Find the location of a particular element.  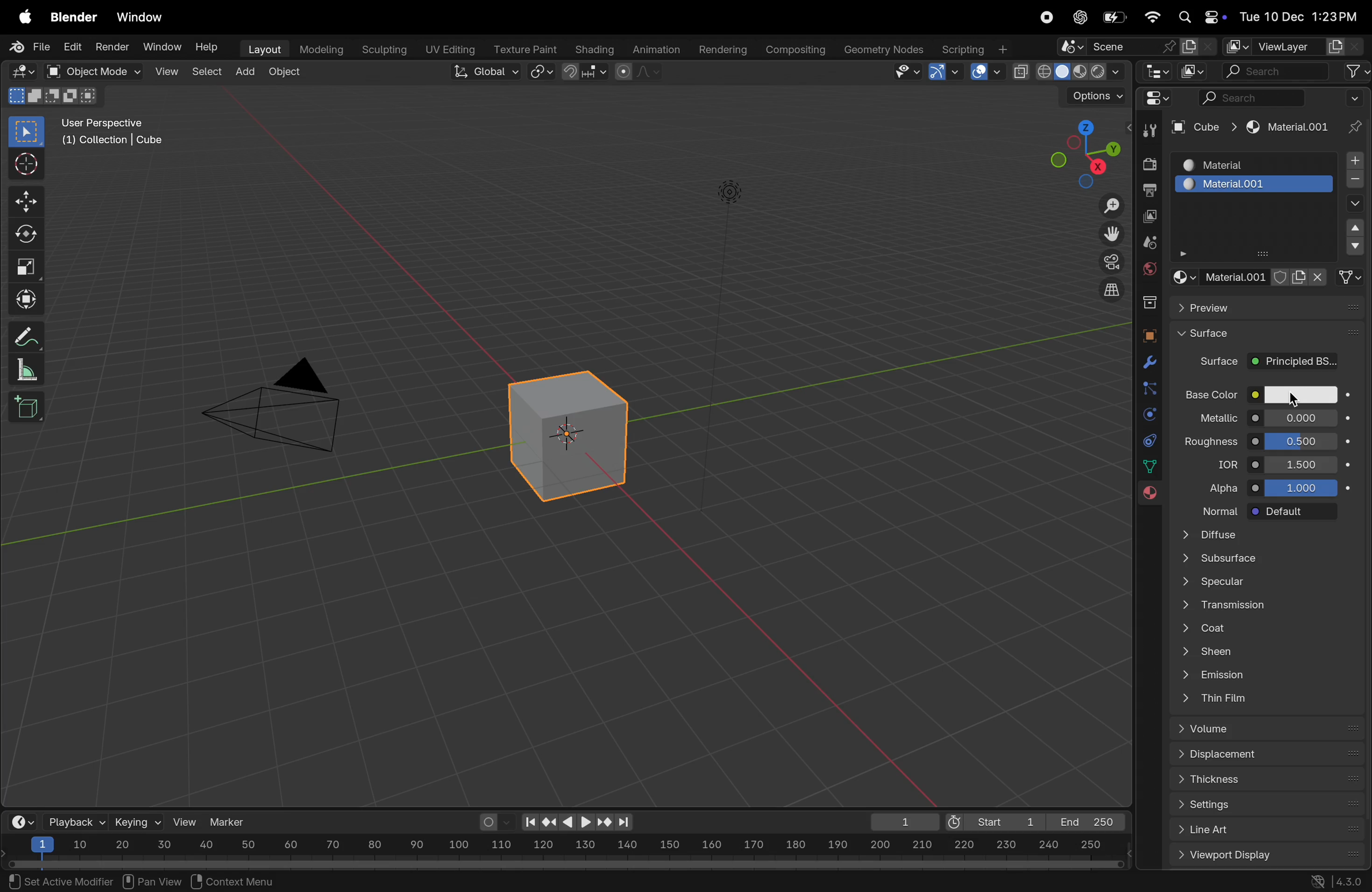

Search is located at coordinates (1250, 97).